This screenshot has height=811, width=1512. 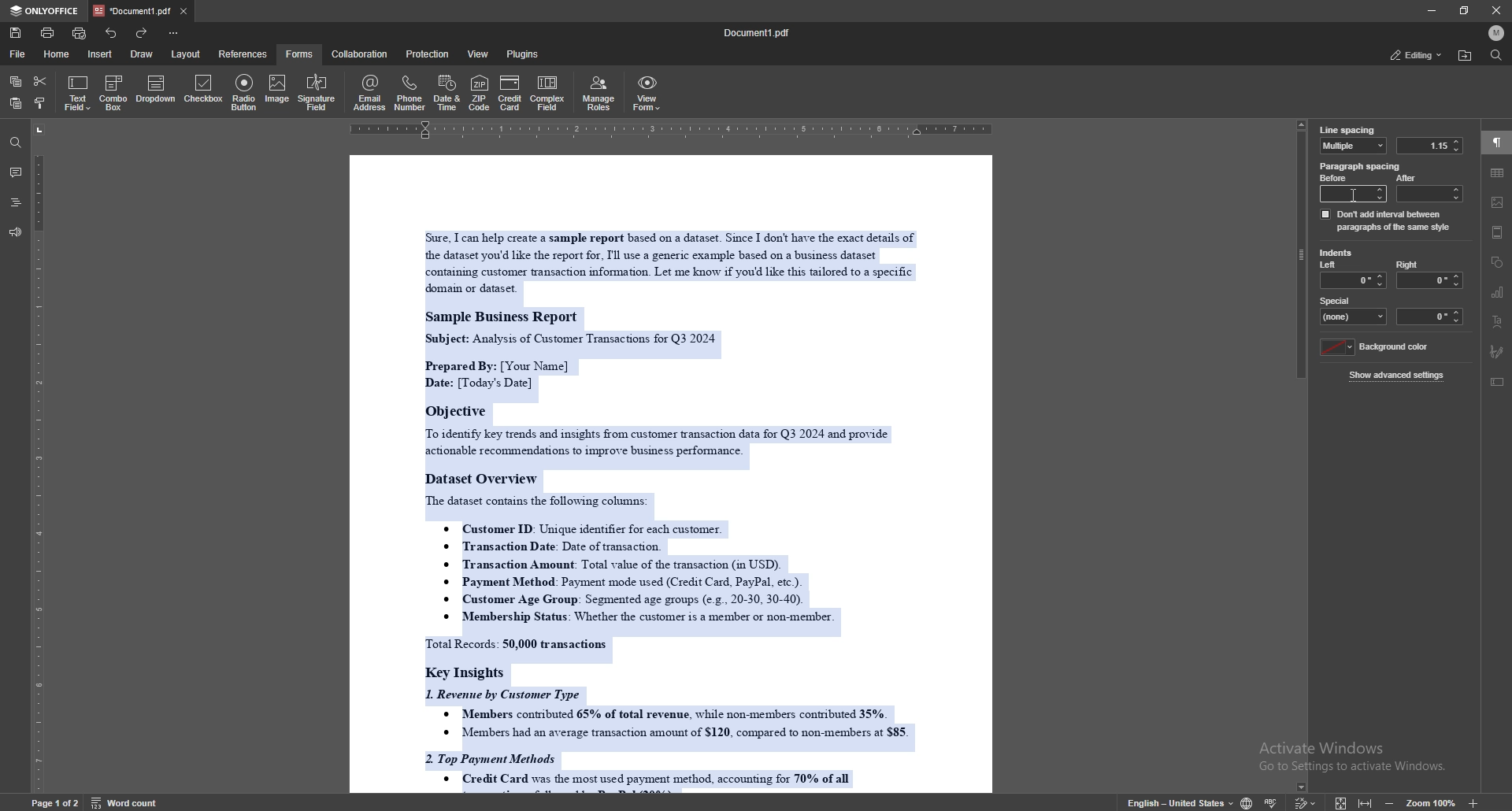 I want to click on email address, so click(x=370, y=92).